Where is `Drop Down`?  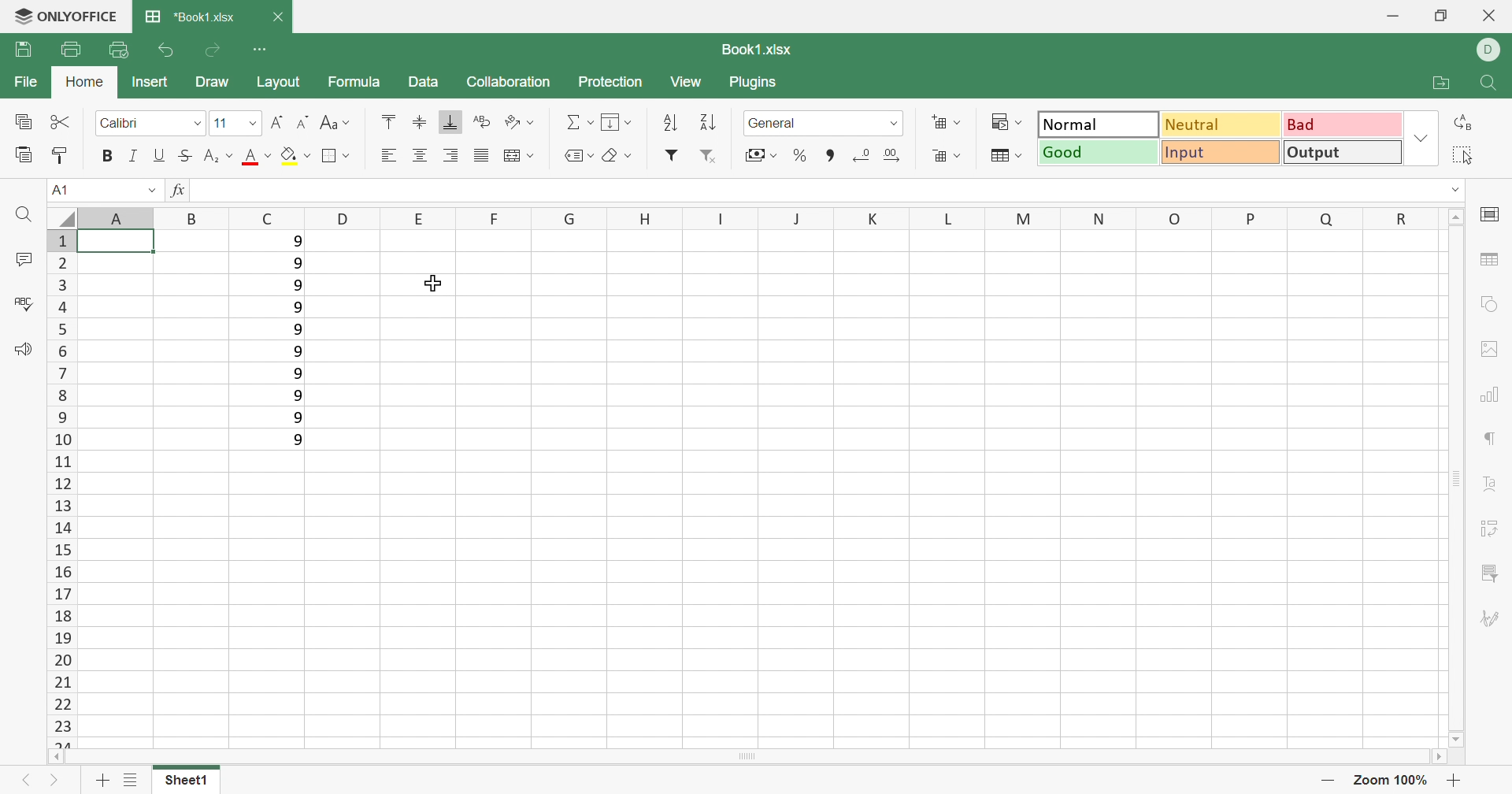 Drop Down is located at coordinates (1454, 189).